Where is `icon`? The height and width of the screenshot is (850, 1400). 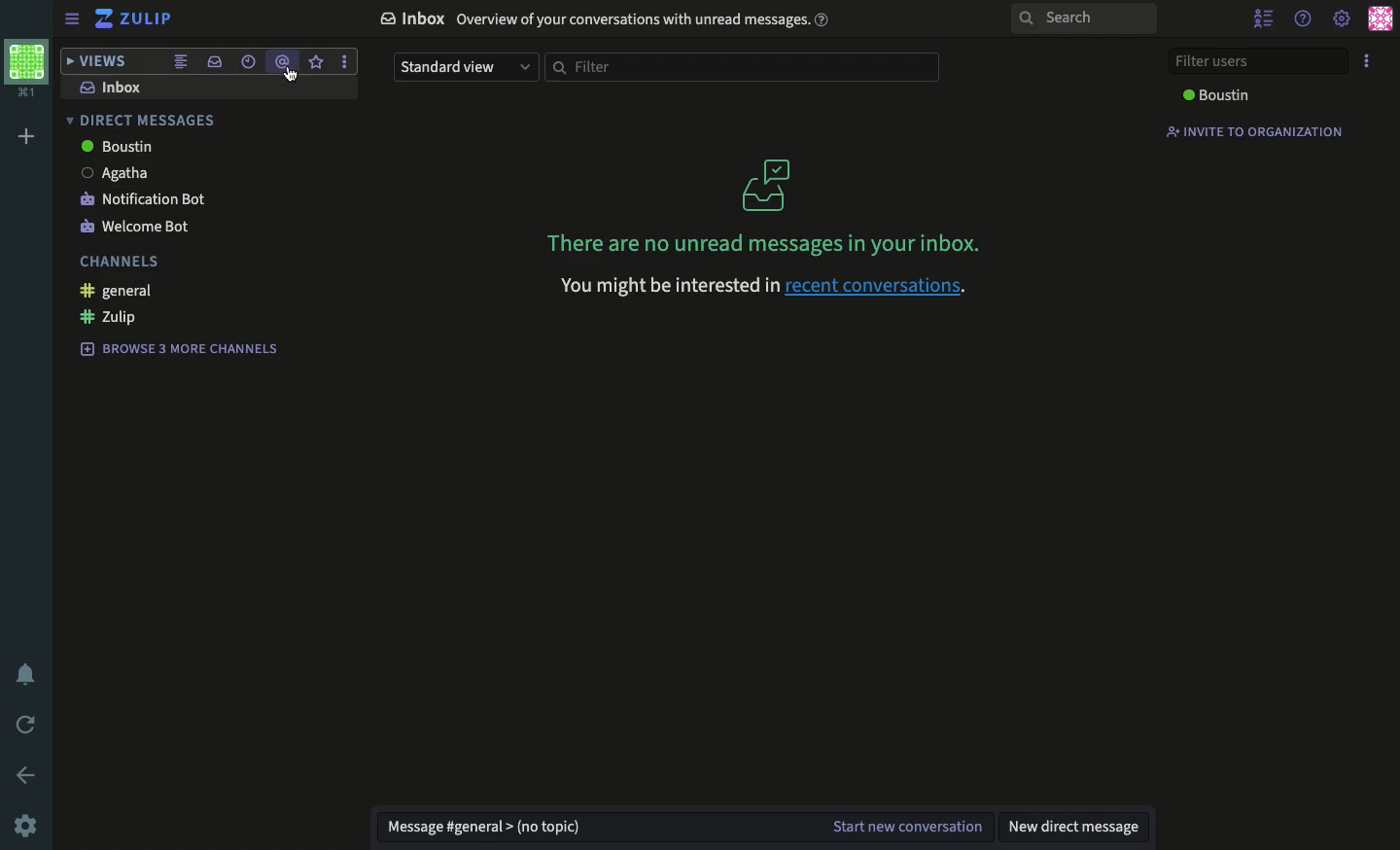 icon is located at coordinates (768, 180).